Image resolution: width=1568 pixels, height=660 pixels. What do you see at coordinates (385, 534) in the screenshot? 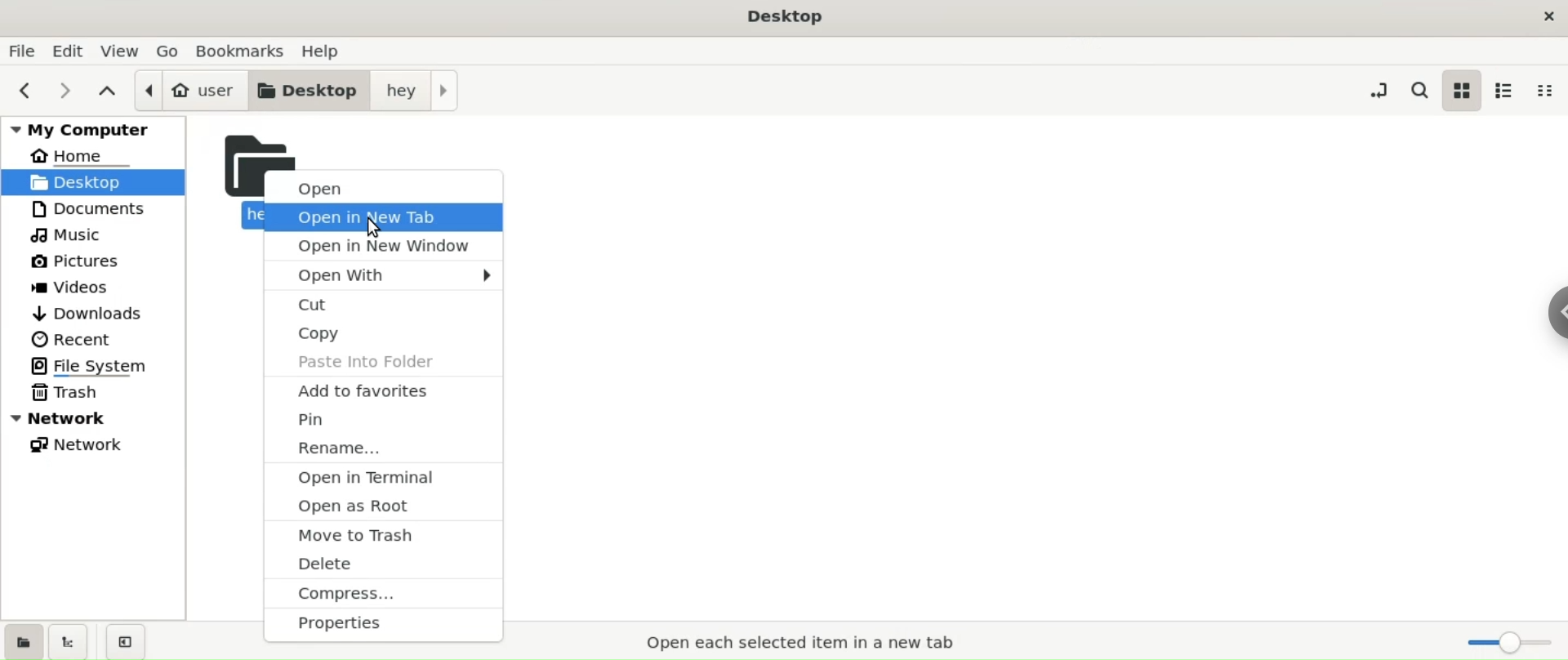
I see `move to trash` at bounding box center [385, 534].